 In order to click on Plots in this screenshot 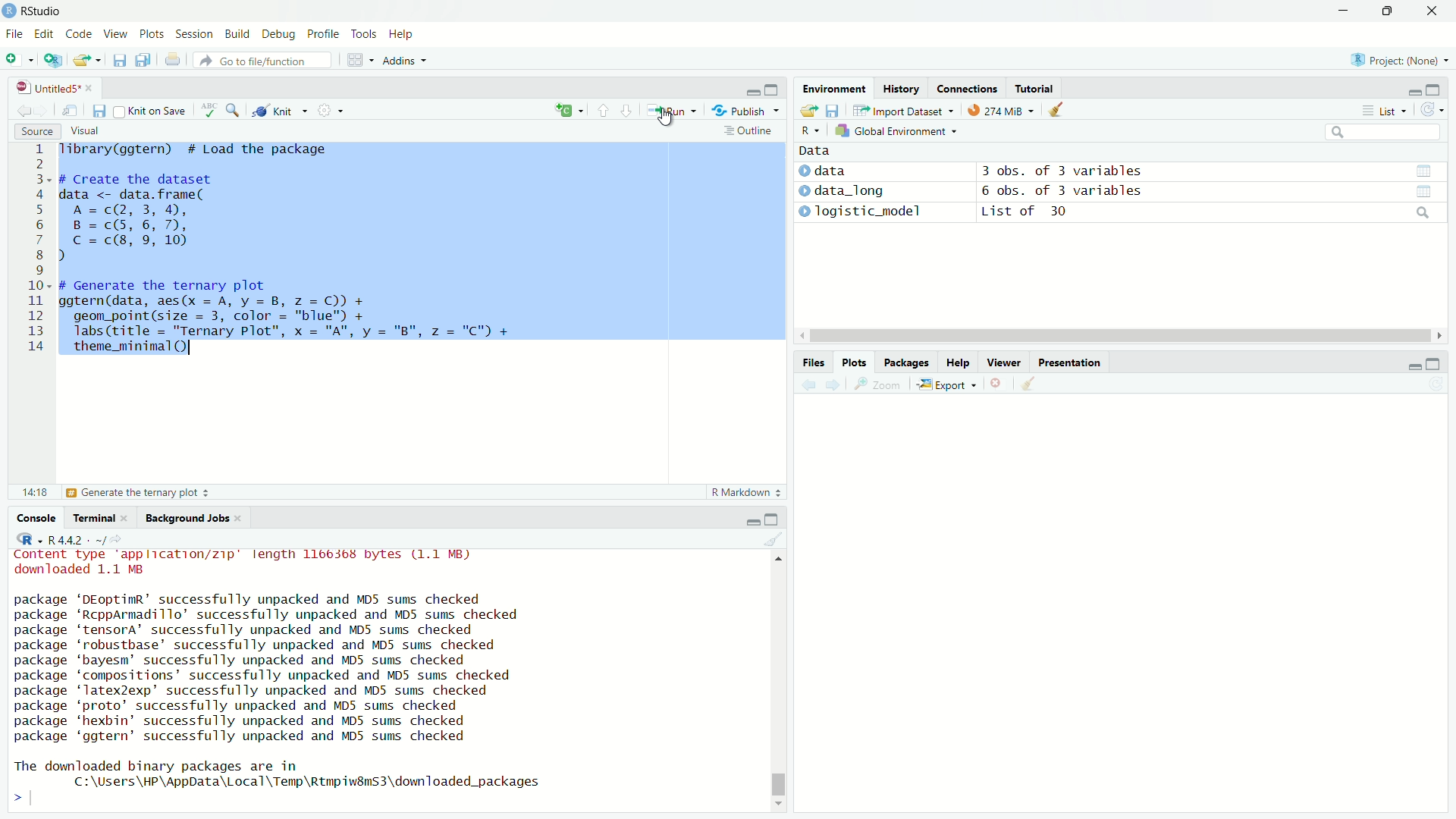, I will do `click(852, 361)`.